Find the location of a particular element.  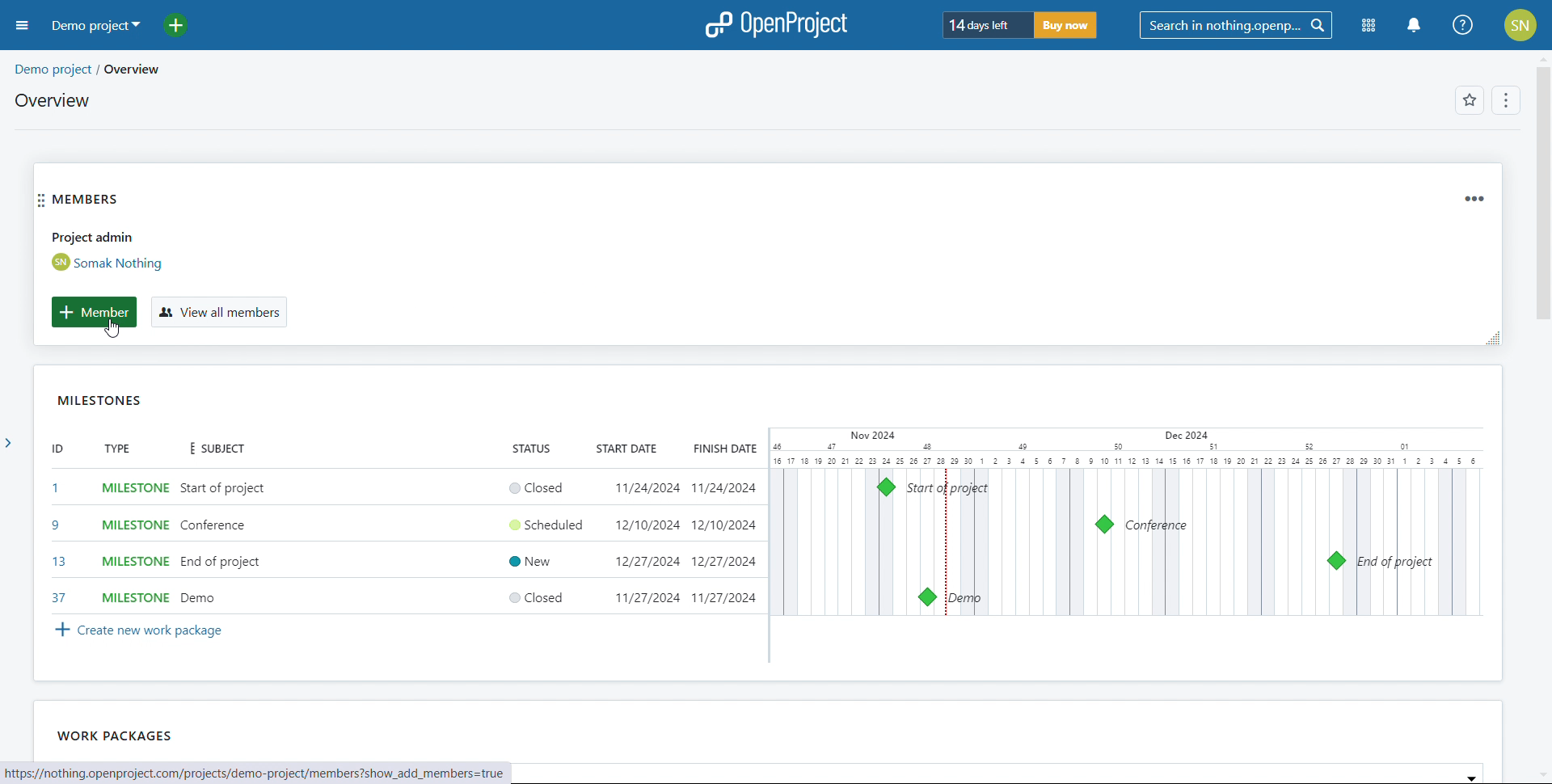

overview is located at coordinates (53, 101).